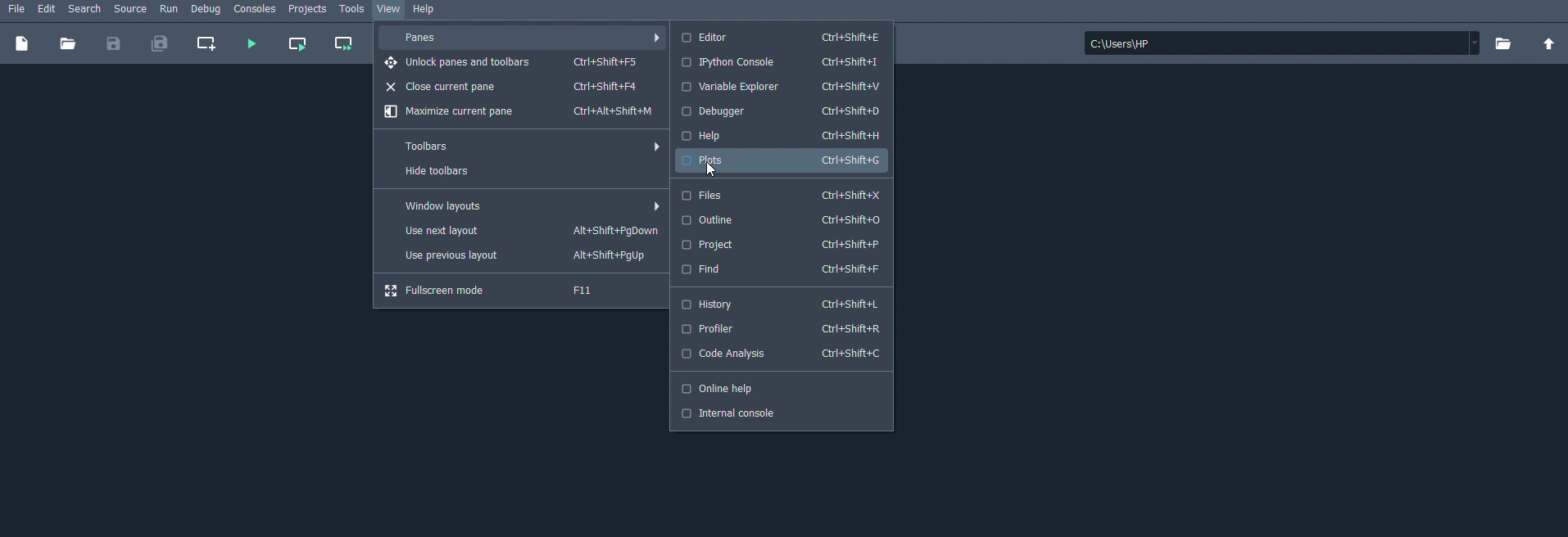  What do you see at coordinates (782, 268) in the screenshot?
I see `Find` at bounding box center [782, 268].